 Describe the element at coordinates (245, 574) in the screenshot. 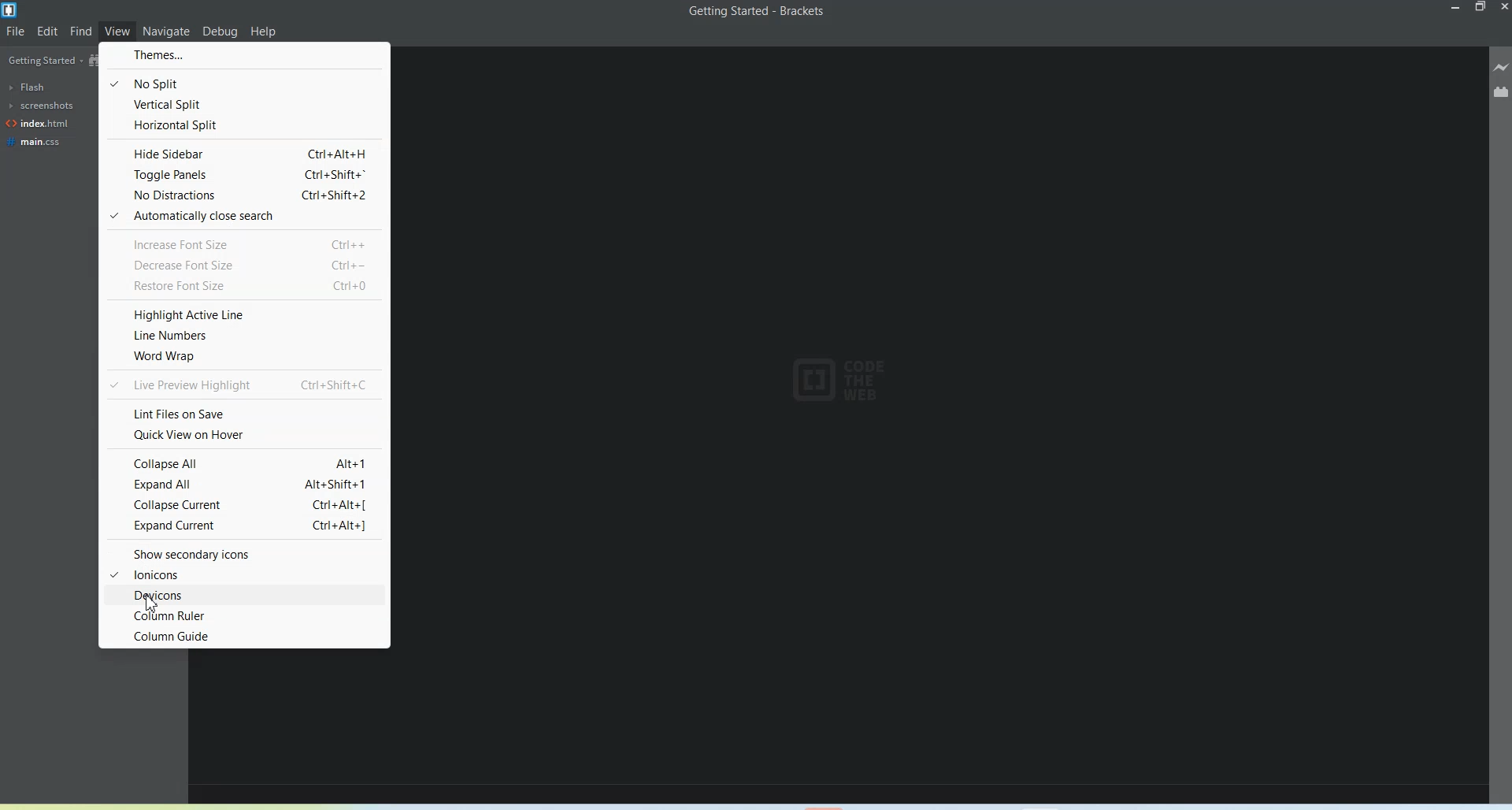

I see `Ionicons` at that location.